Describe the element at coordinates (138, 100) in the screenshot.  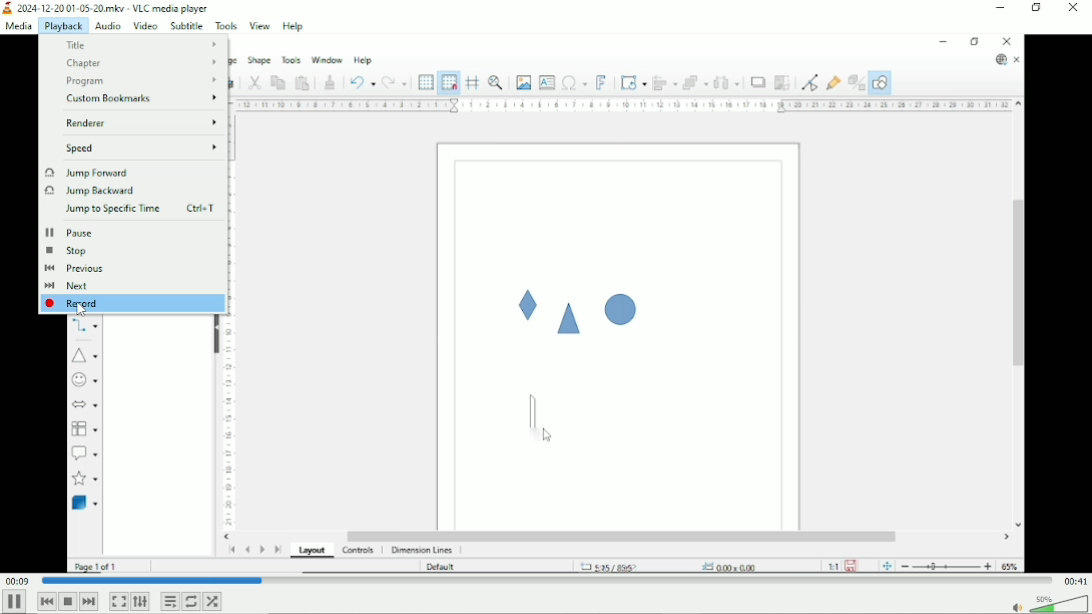
I see `custom bookmarks` at that location.